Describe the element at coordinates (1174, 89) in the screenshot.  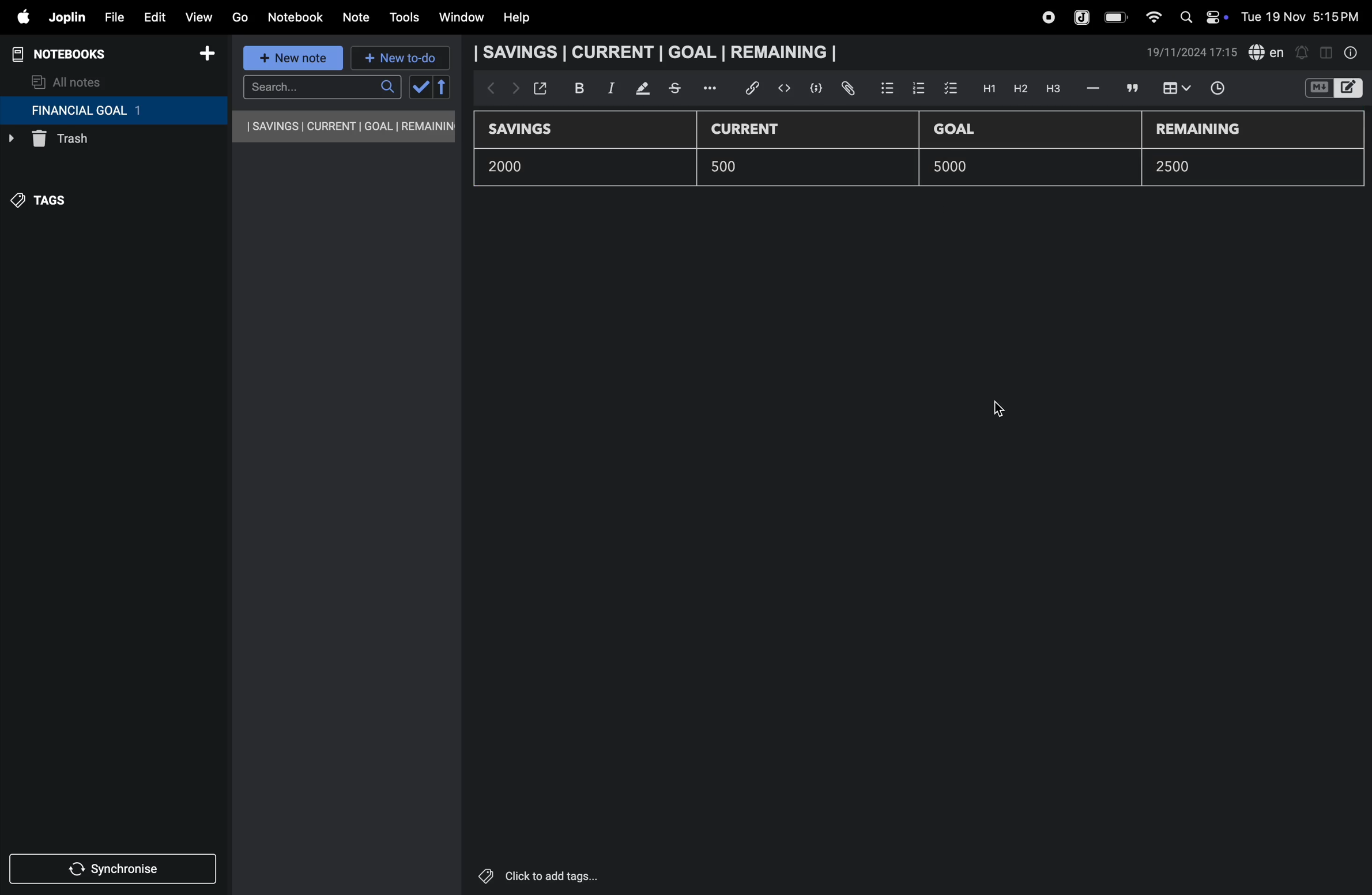
I see `insert table` at that location.